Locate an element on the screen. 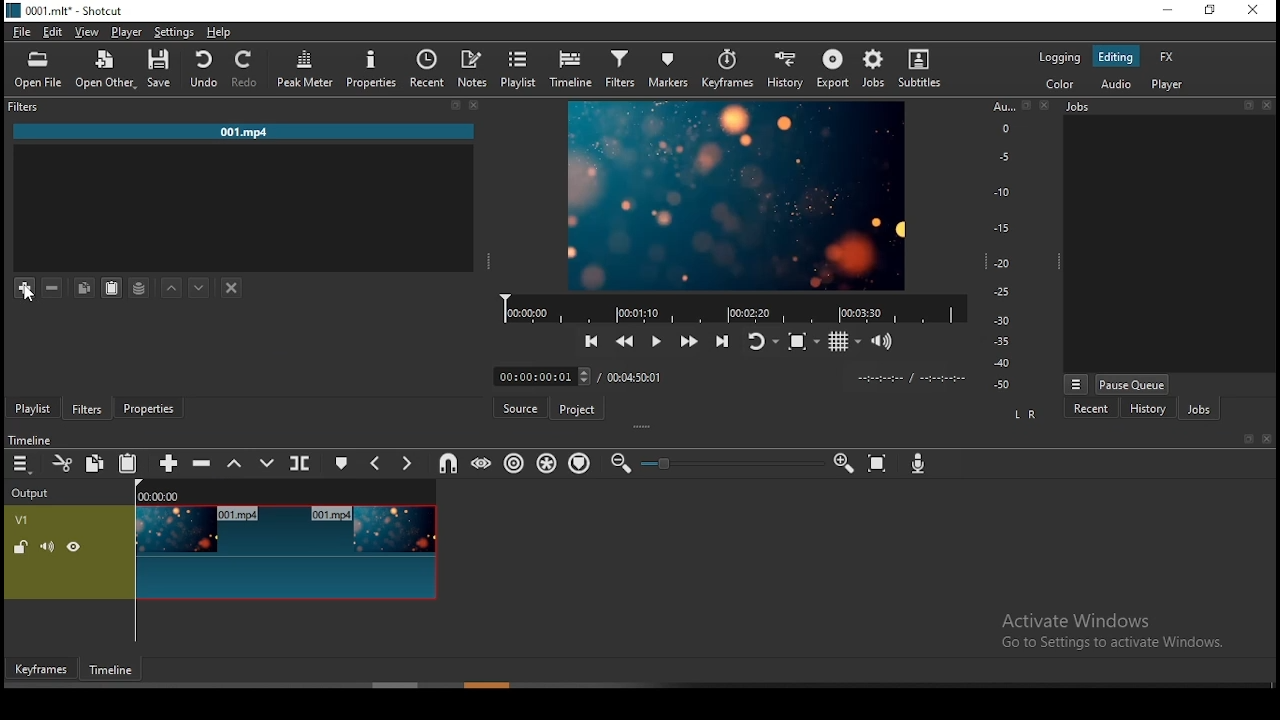 Image resolution: width=1280 pixels, height=720 pixels. L R is located at coordinates (1026, 413).